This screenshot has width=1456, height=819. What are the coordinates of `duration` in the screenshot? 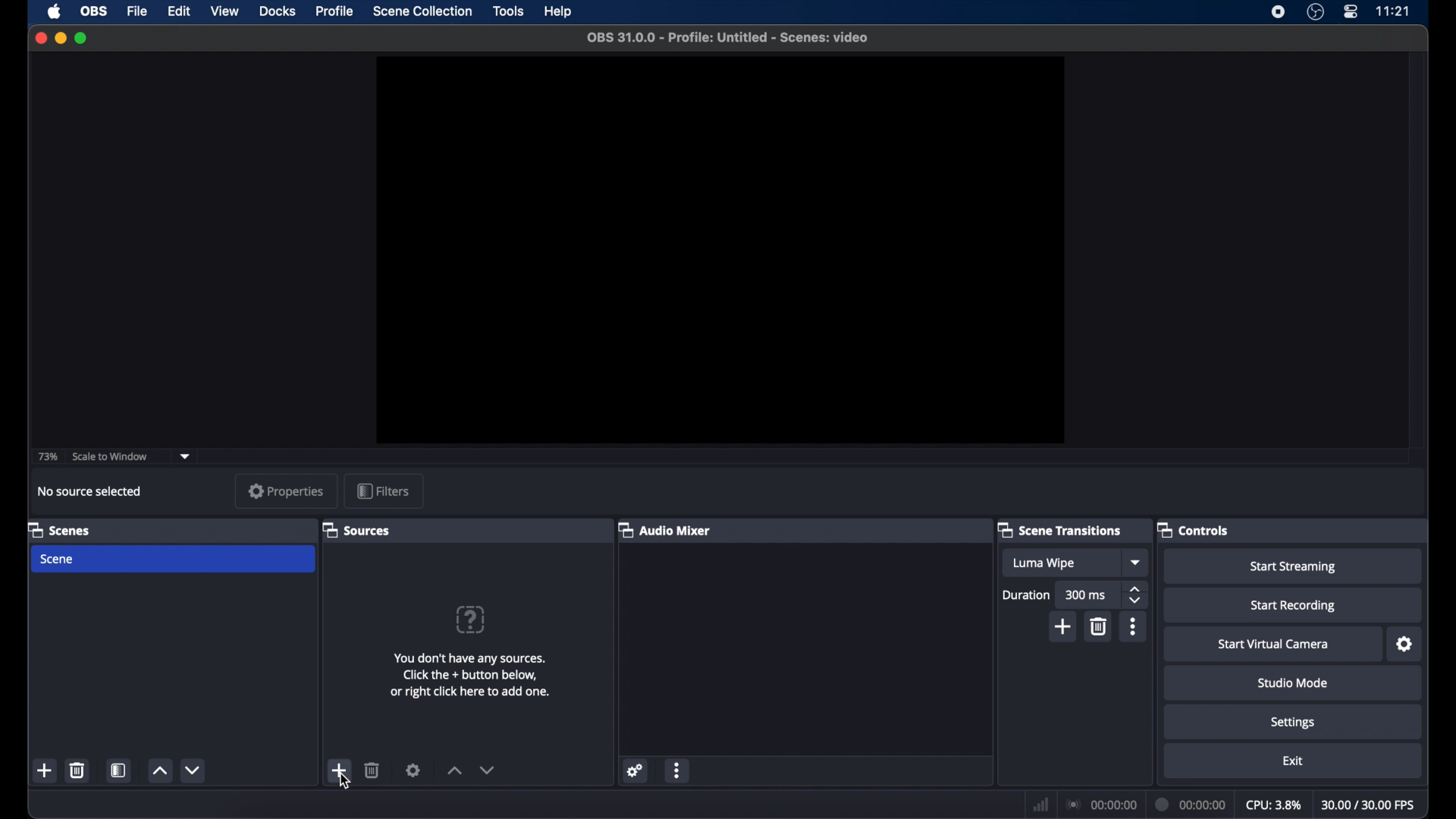 It's located at (1028, 595).